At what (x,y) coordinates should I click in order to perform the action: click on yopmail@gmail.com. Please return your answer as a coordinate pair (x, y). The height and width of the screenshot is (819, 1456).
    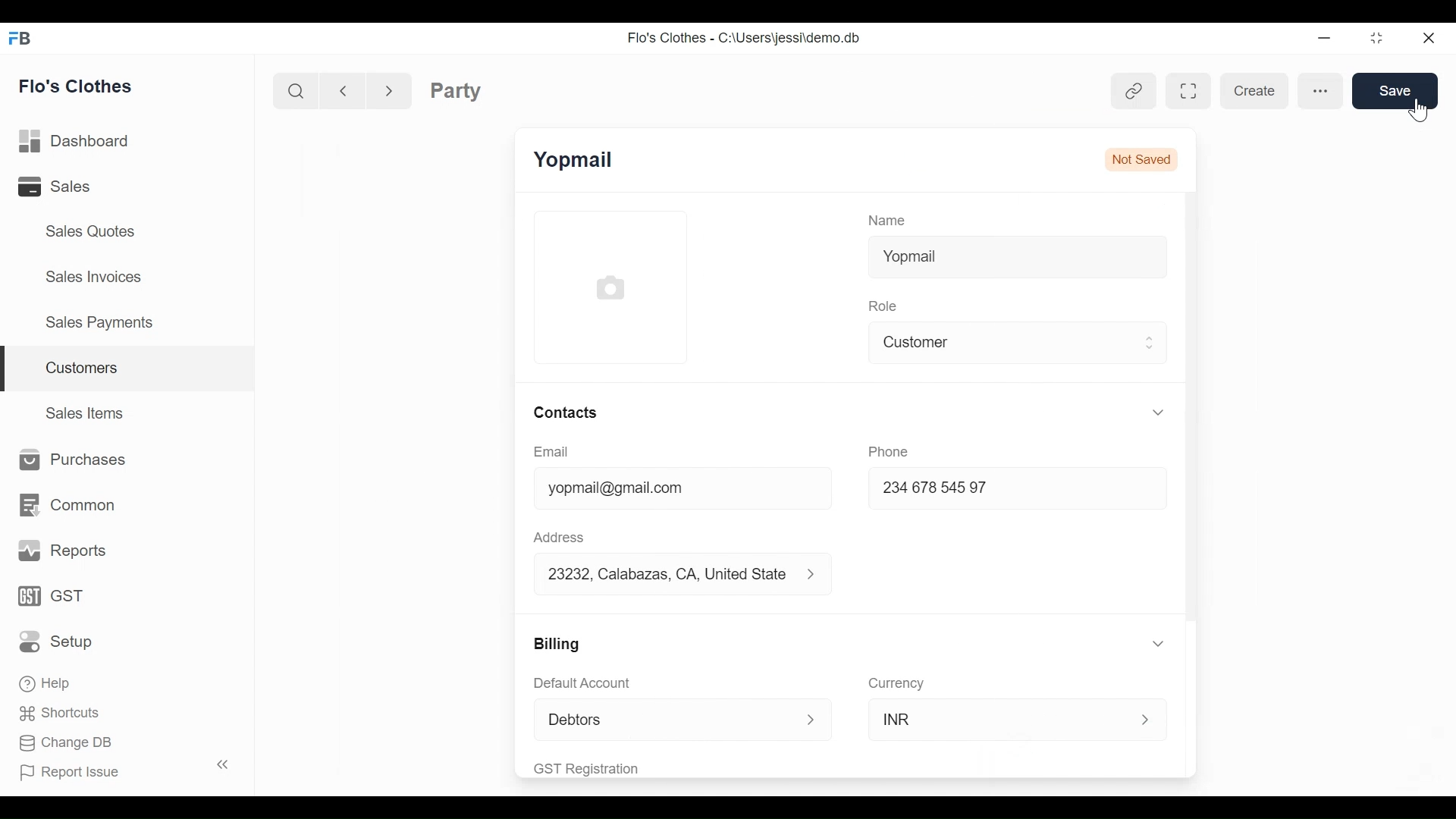
    Looking at the image, I should click on (660, 488).